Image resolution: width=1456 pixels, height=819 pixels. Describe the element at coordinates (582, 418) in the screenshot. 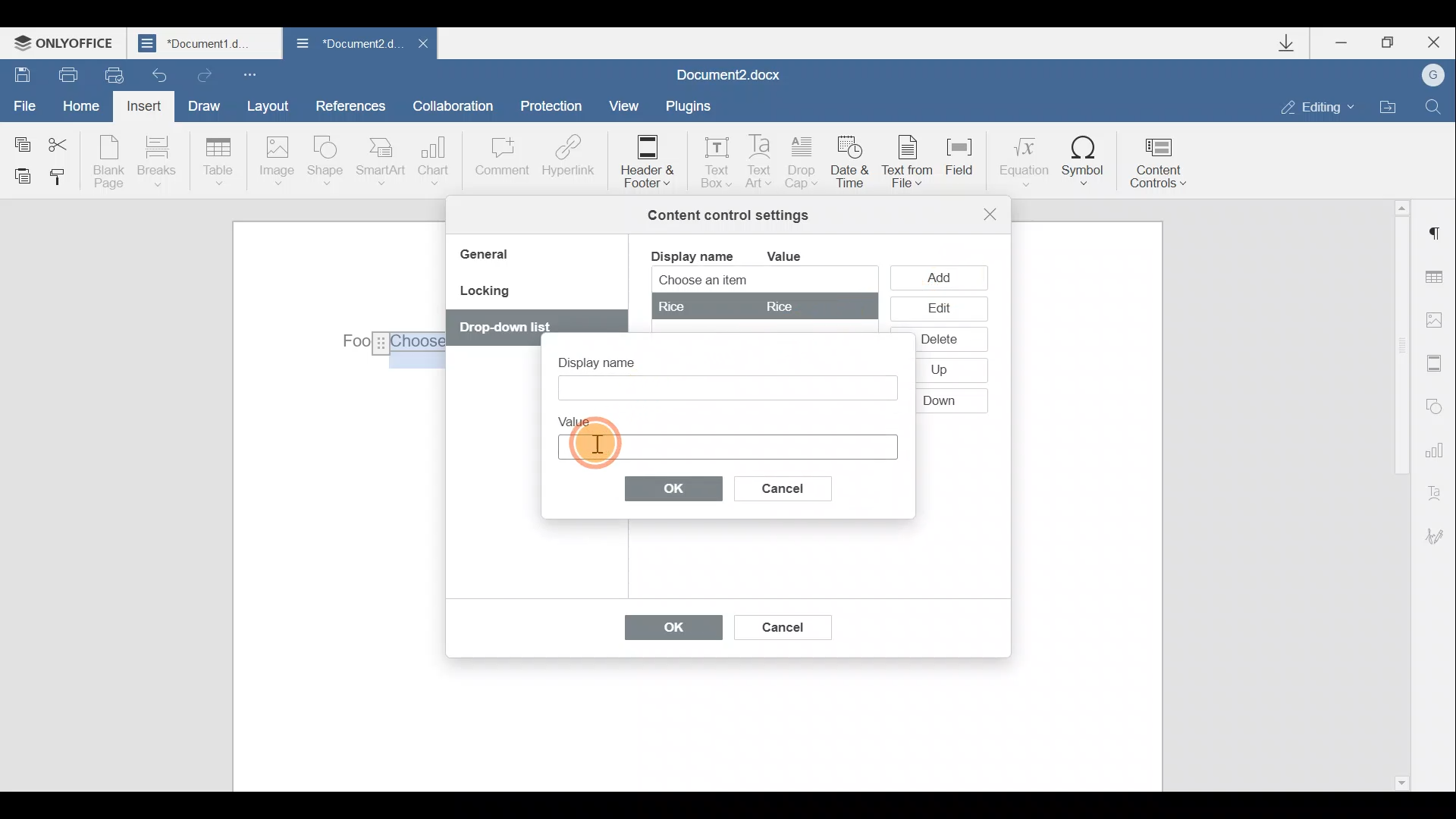

I see `Value` at that location.